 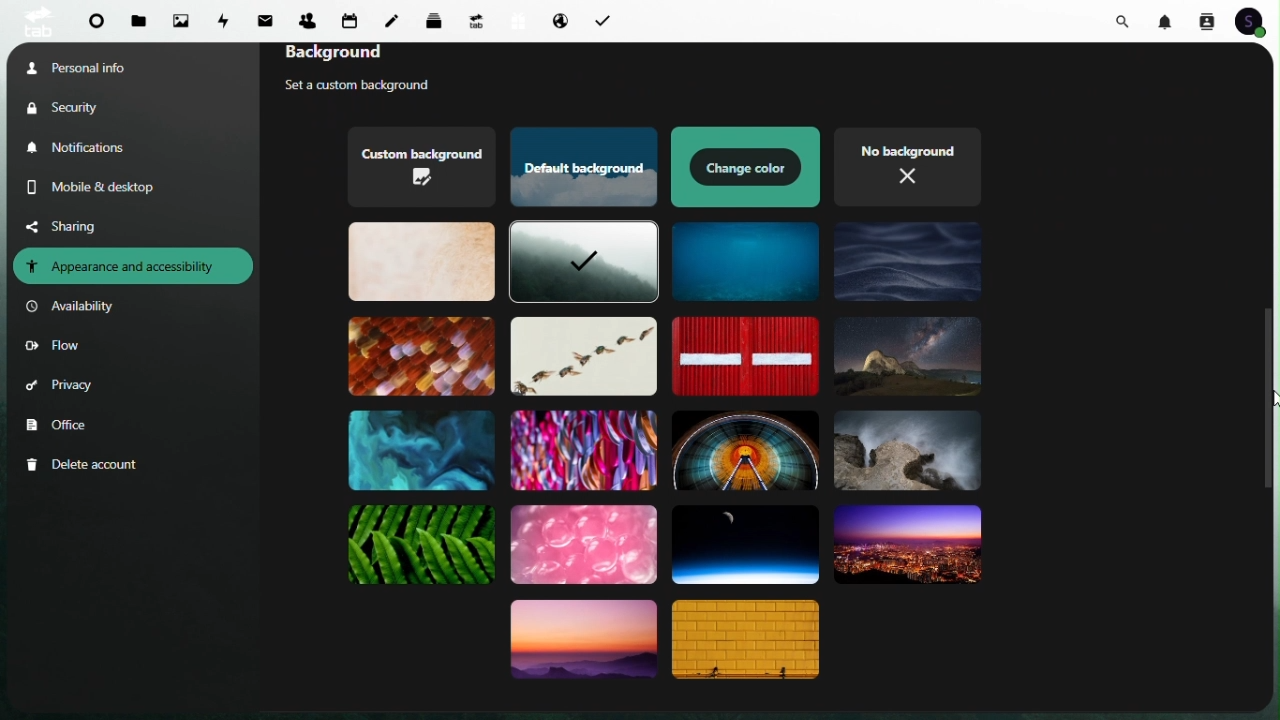 What do you see at coordinates (35, 21) in the screenshot?
I see `tab` at bounding box center [35, 21].